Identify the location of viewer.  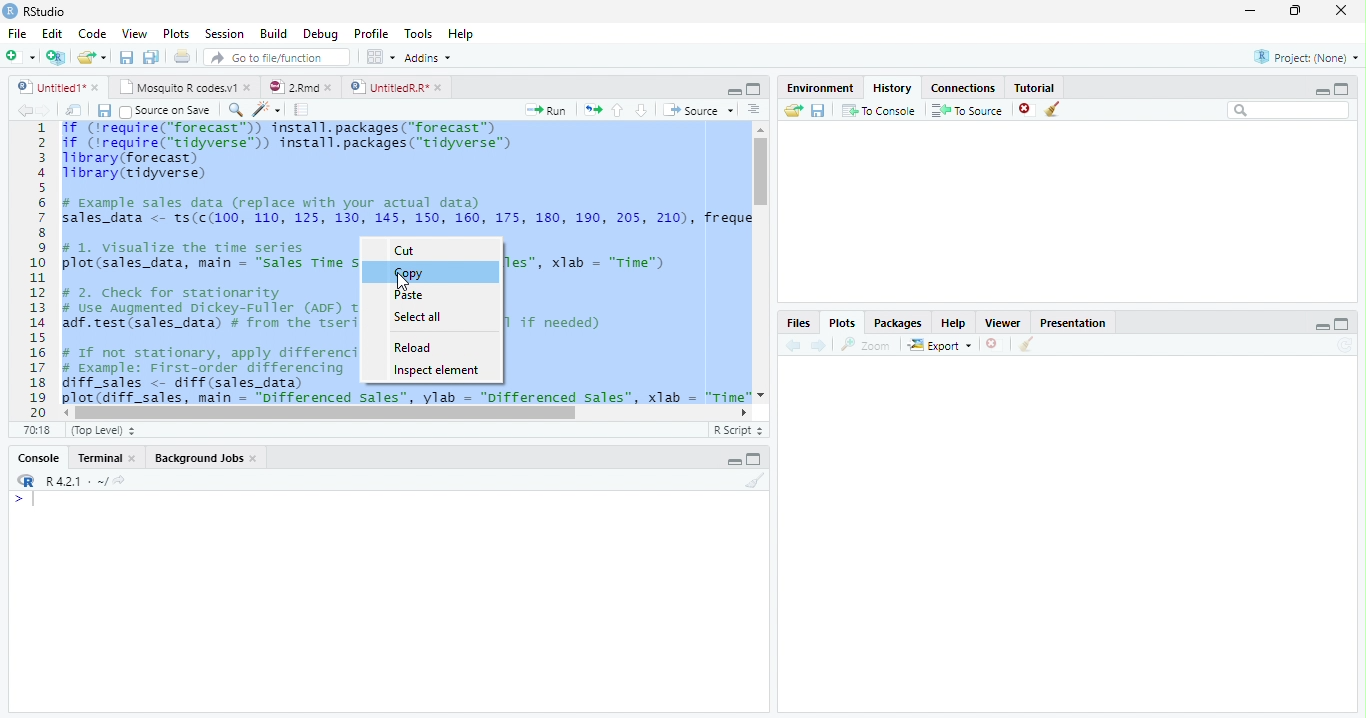
(1003, 324).